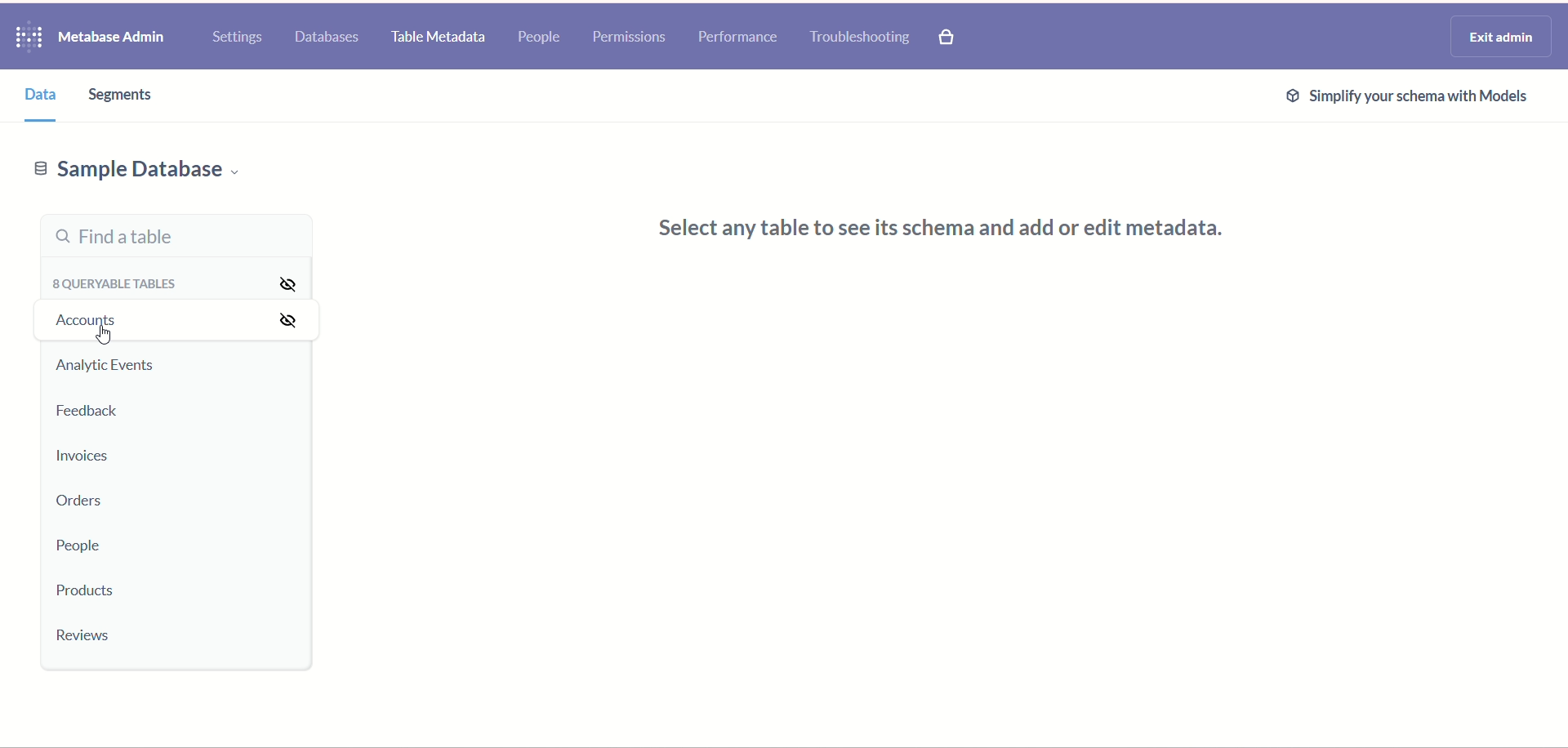 This screenshot has height=748, width=1568. What do you see at coordinates (131, 171) in the screenshot?
I see `sample database` at bounding box center [131, 171].